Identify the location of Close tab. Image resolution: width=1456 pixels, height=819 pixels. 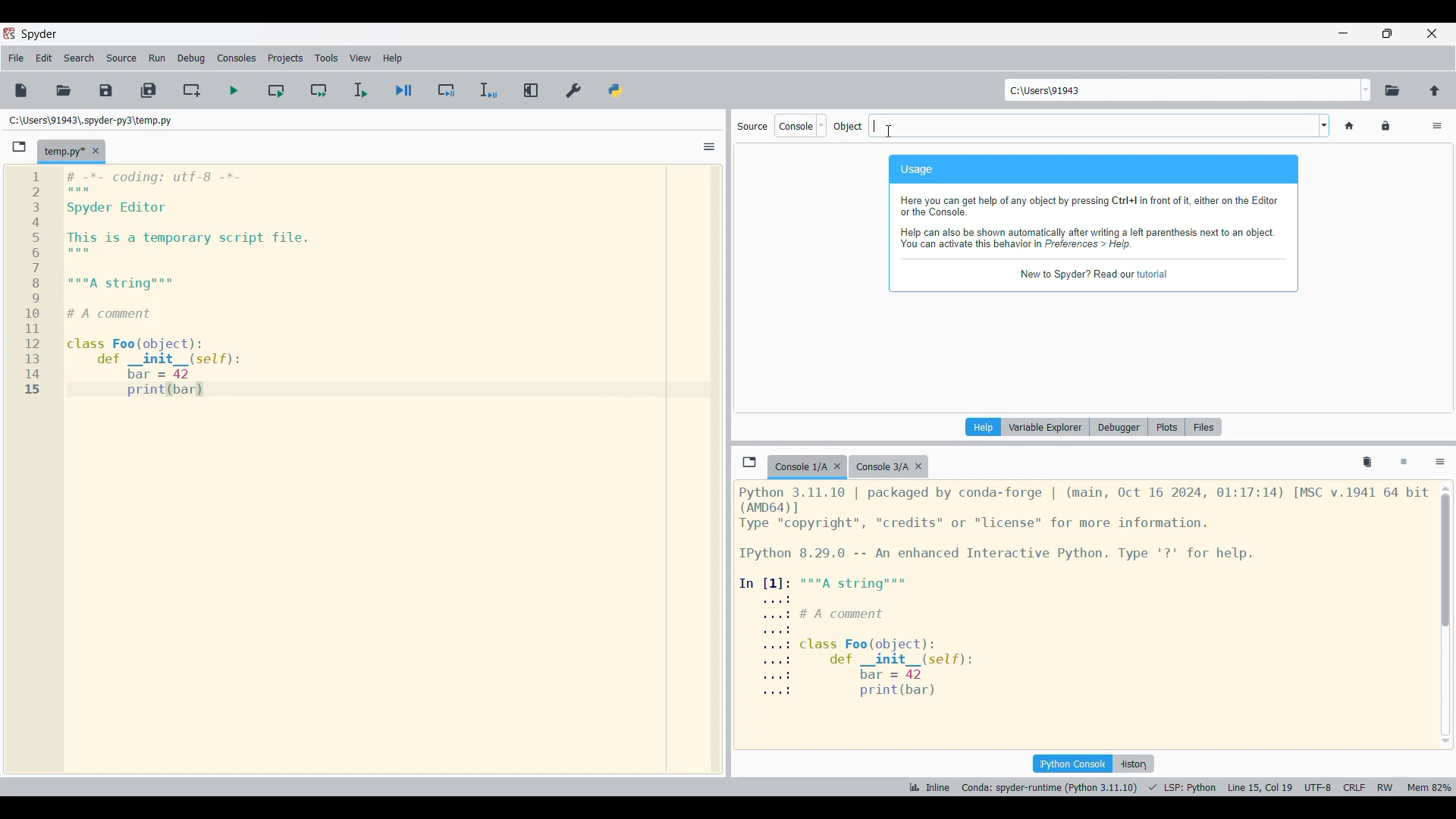
(837, 466).